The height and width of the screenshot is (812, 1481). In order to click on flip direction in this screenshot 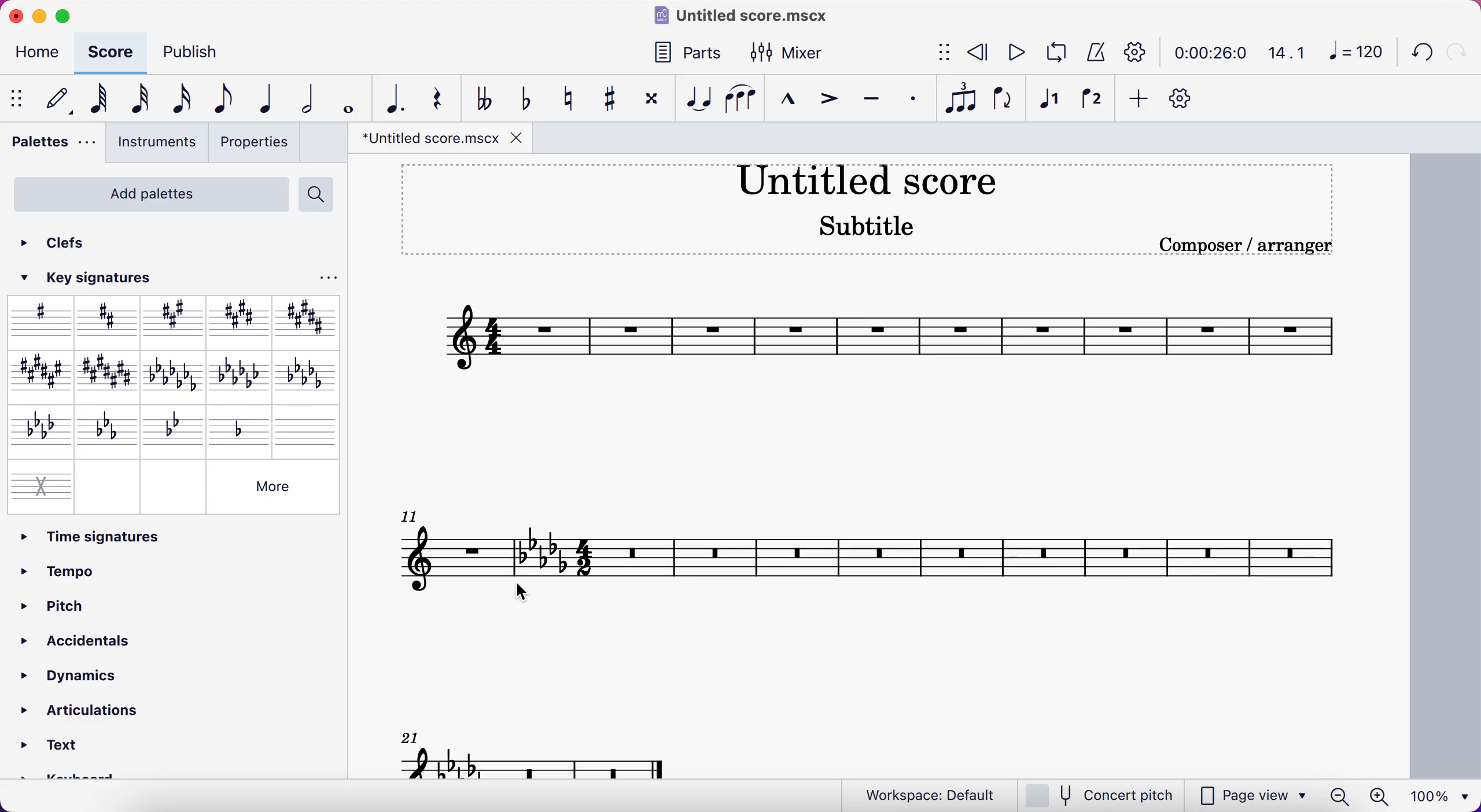, I will do `click(1001, 102)`.